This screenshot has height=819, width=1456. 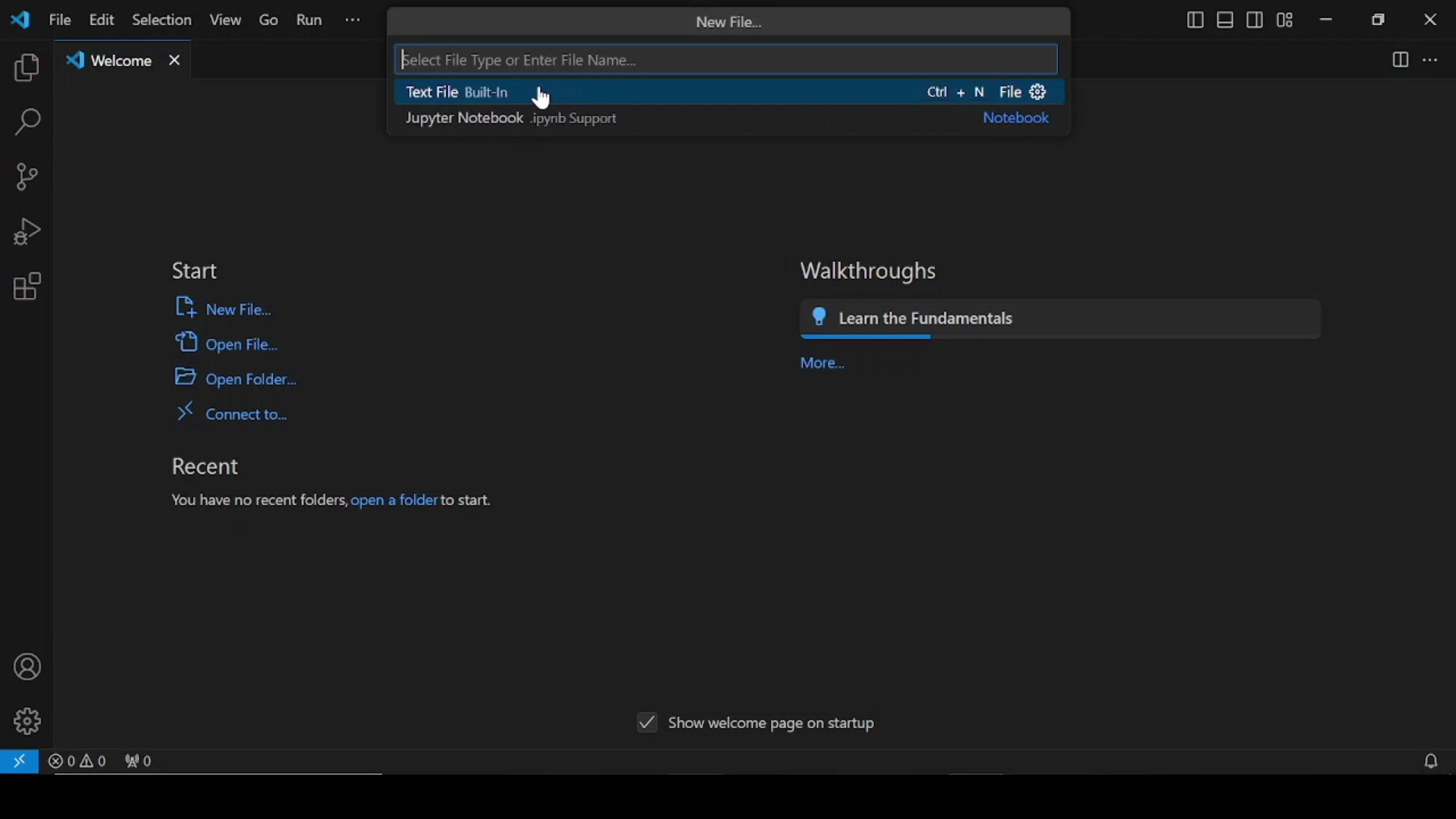 What do you see at coordinates (332, 502) in the screenshot?
I see `you have no recent folders, open a folder start` at bounding box center [332, 502].